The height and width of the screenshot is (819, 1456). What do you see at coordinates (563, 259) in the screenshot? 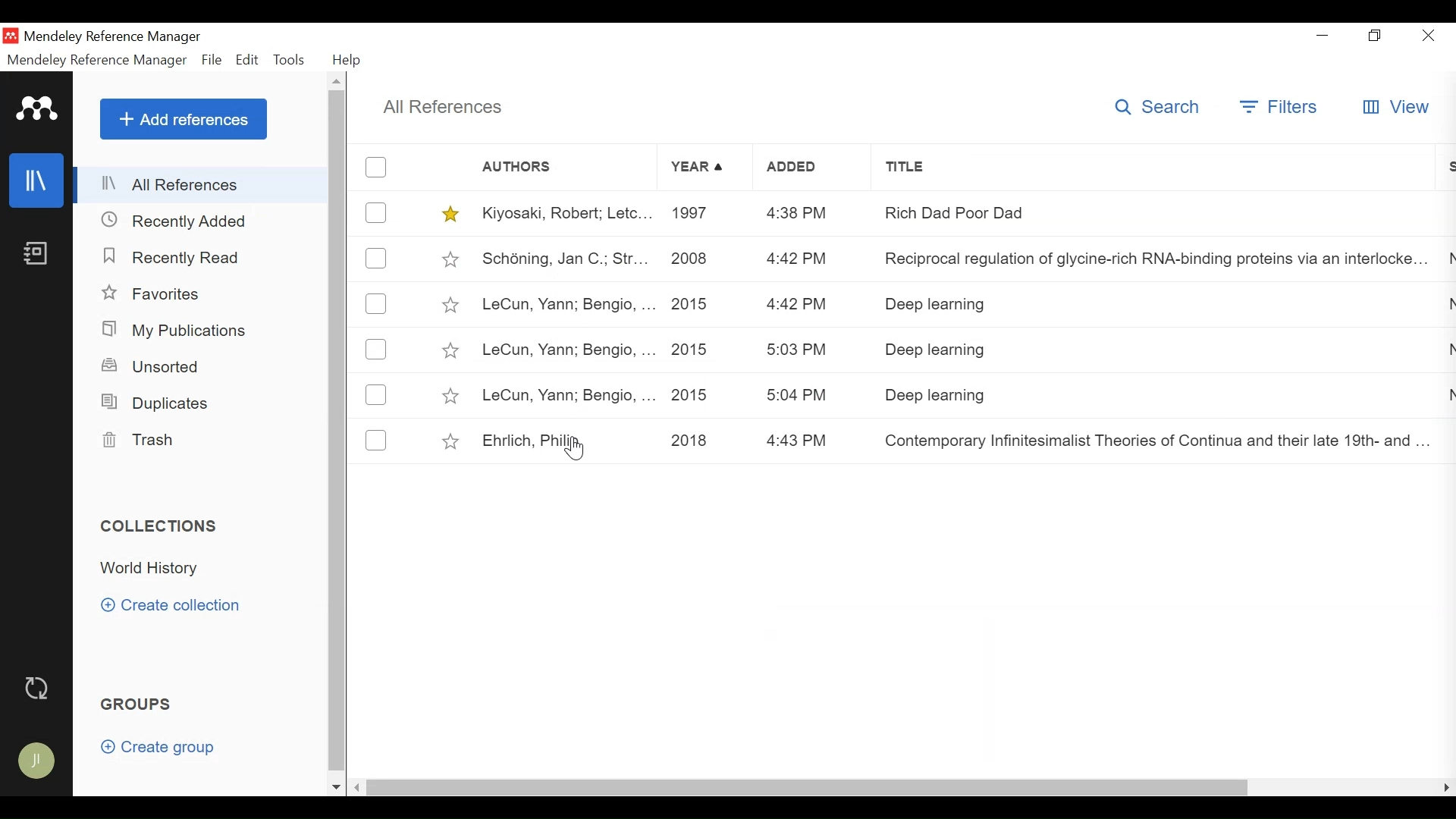
I see `Schéning, Jan C.; Str...` at bounding box center [563, 259].